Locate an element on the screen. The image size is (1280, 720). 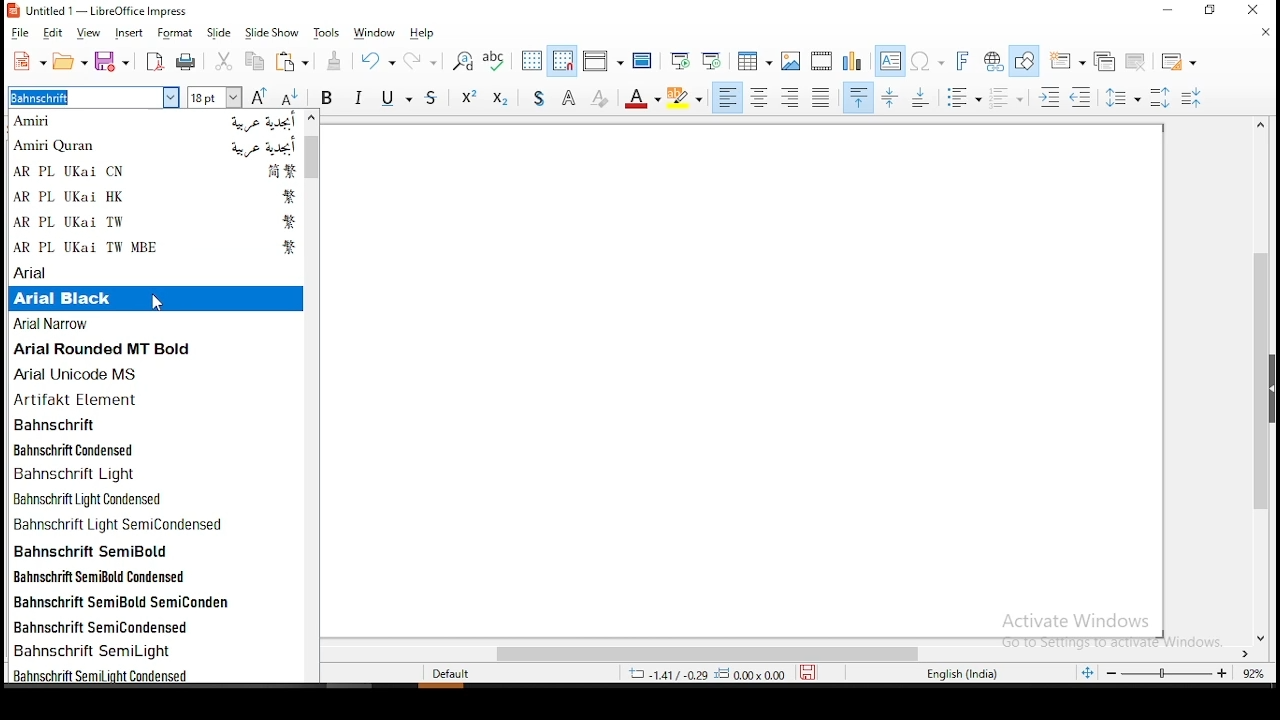
toggle unordered list is located at coordinates (966, 99).